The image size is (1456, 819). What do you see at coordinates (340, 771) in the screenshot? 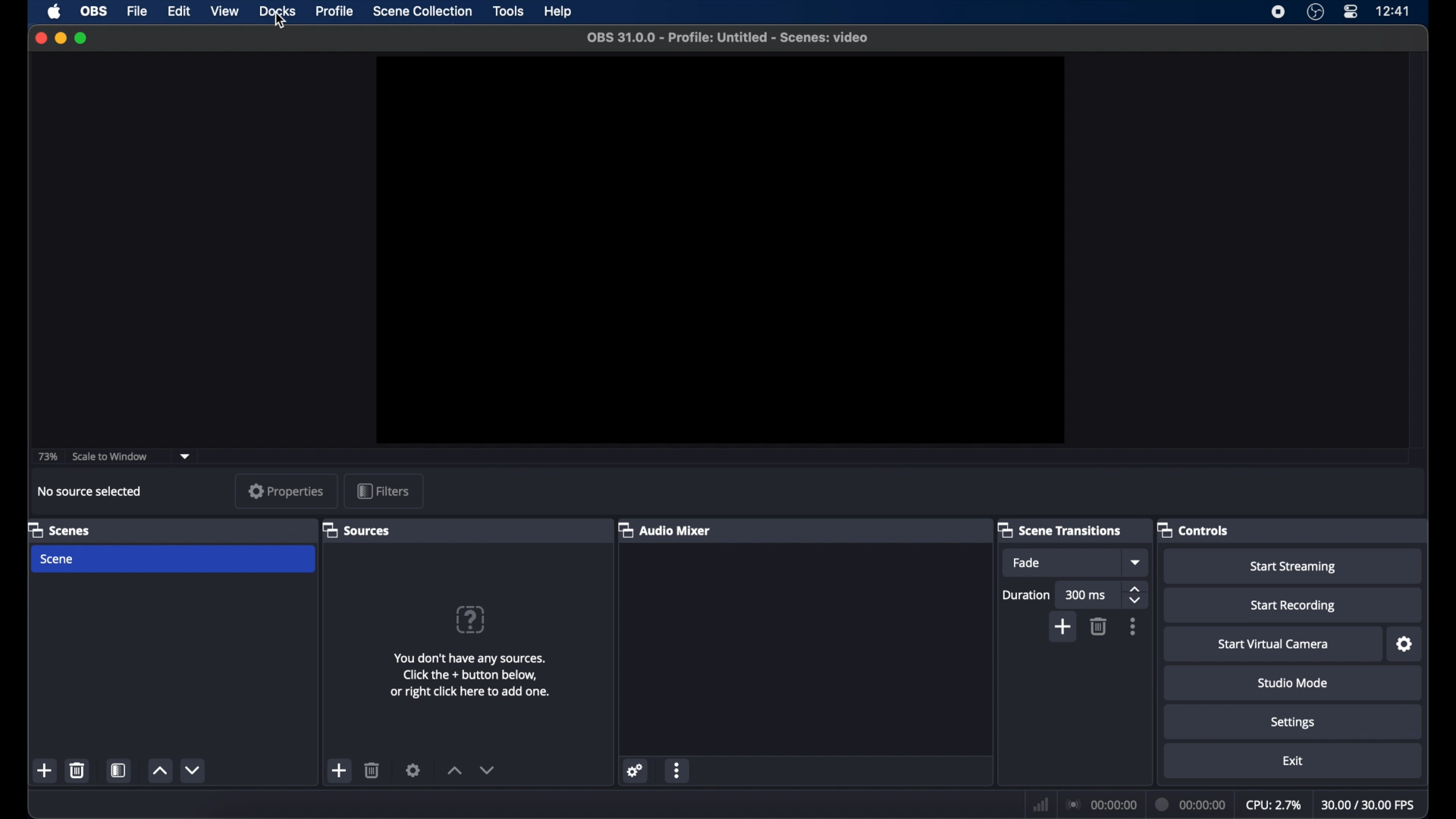
I see `add` at bounding box center [340, 771].